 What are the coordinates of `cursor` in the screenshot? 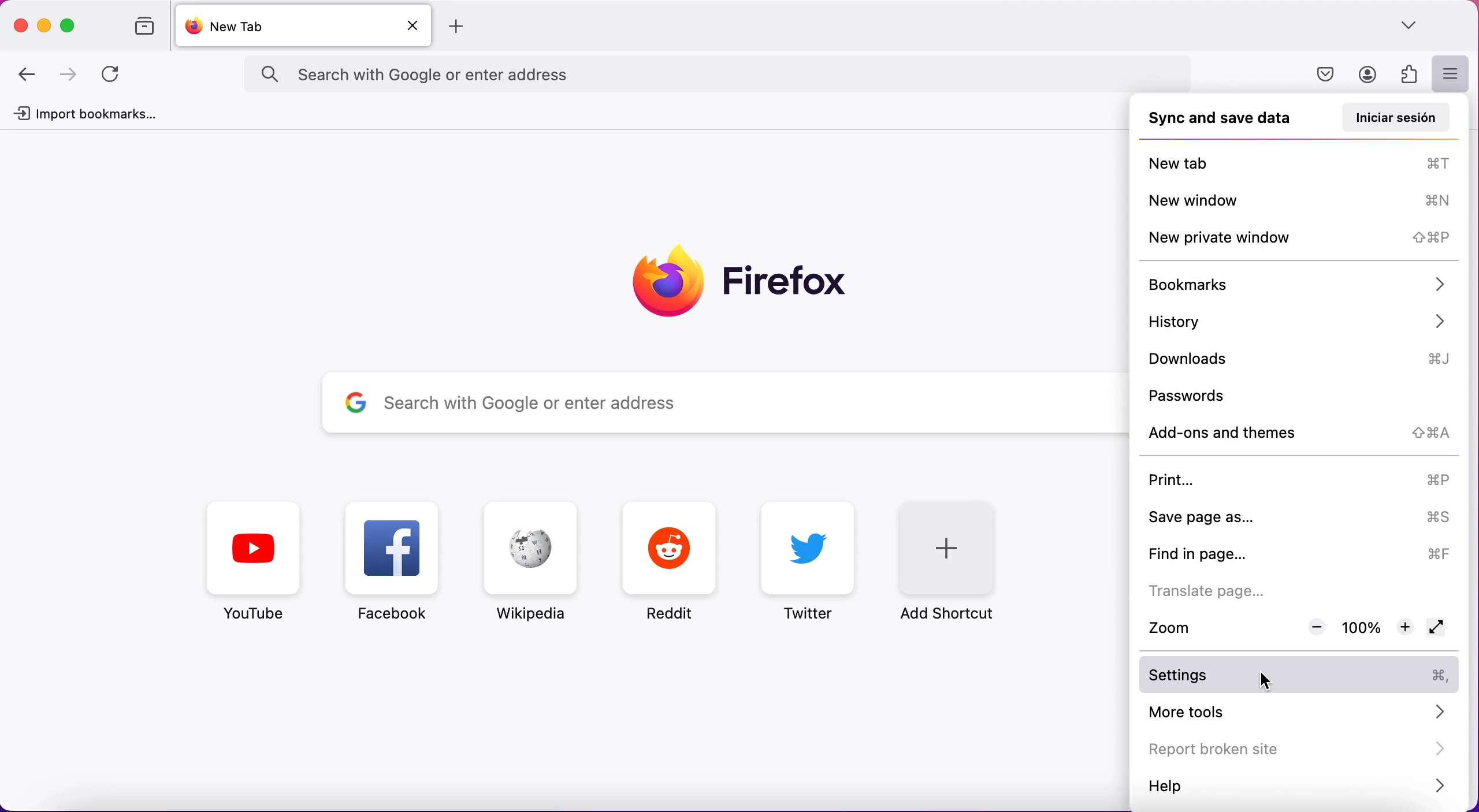 It's located at (1280, 677).